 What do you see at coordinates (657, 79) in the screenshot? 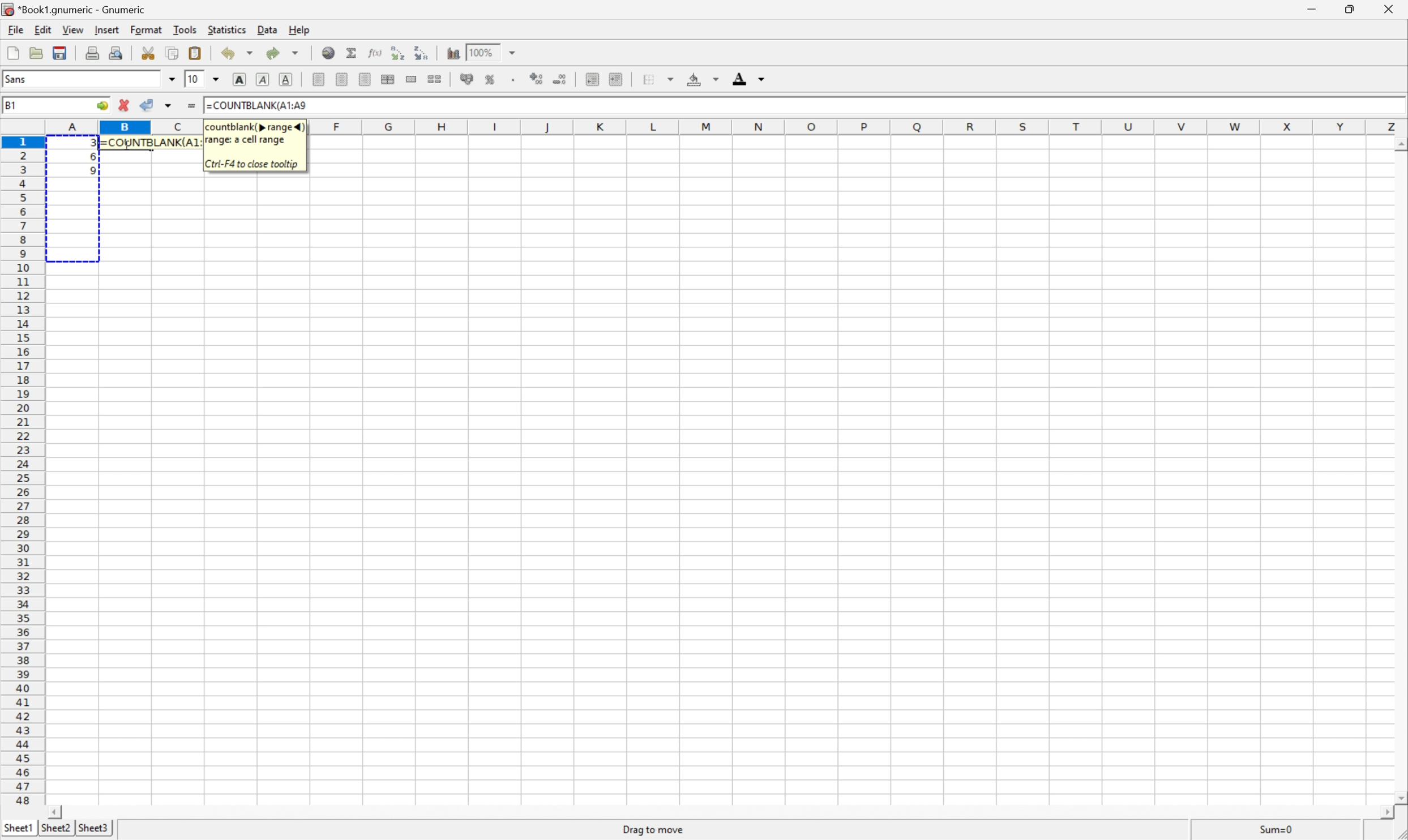
I see `Borders` at bounding box center [657, 79].